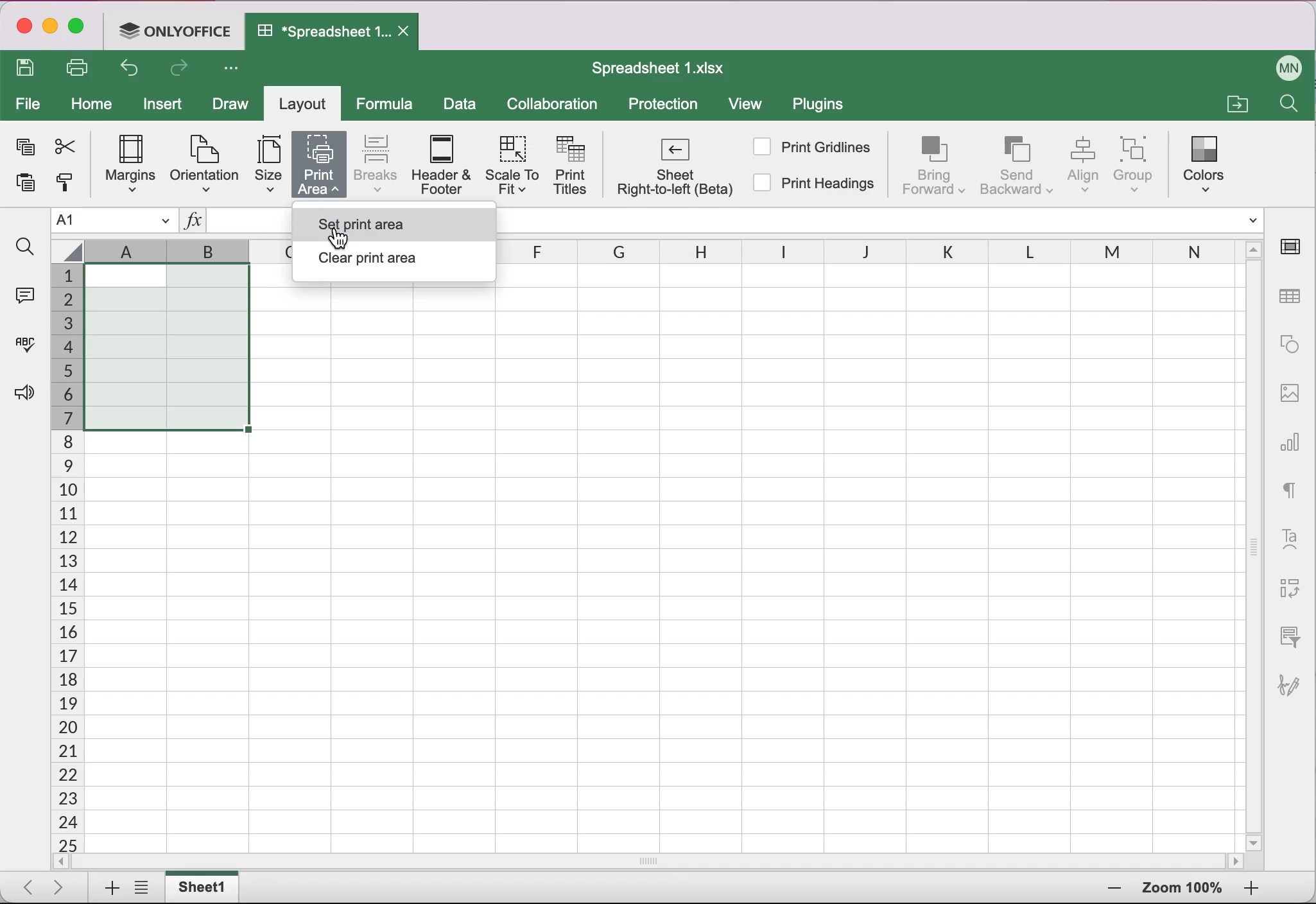 This screenshot has height=904, width=1316. What do you see at coordinates (515, 168) in the screenshot?
I see `Scale to fit` at bounding box center [515, 168].